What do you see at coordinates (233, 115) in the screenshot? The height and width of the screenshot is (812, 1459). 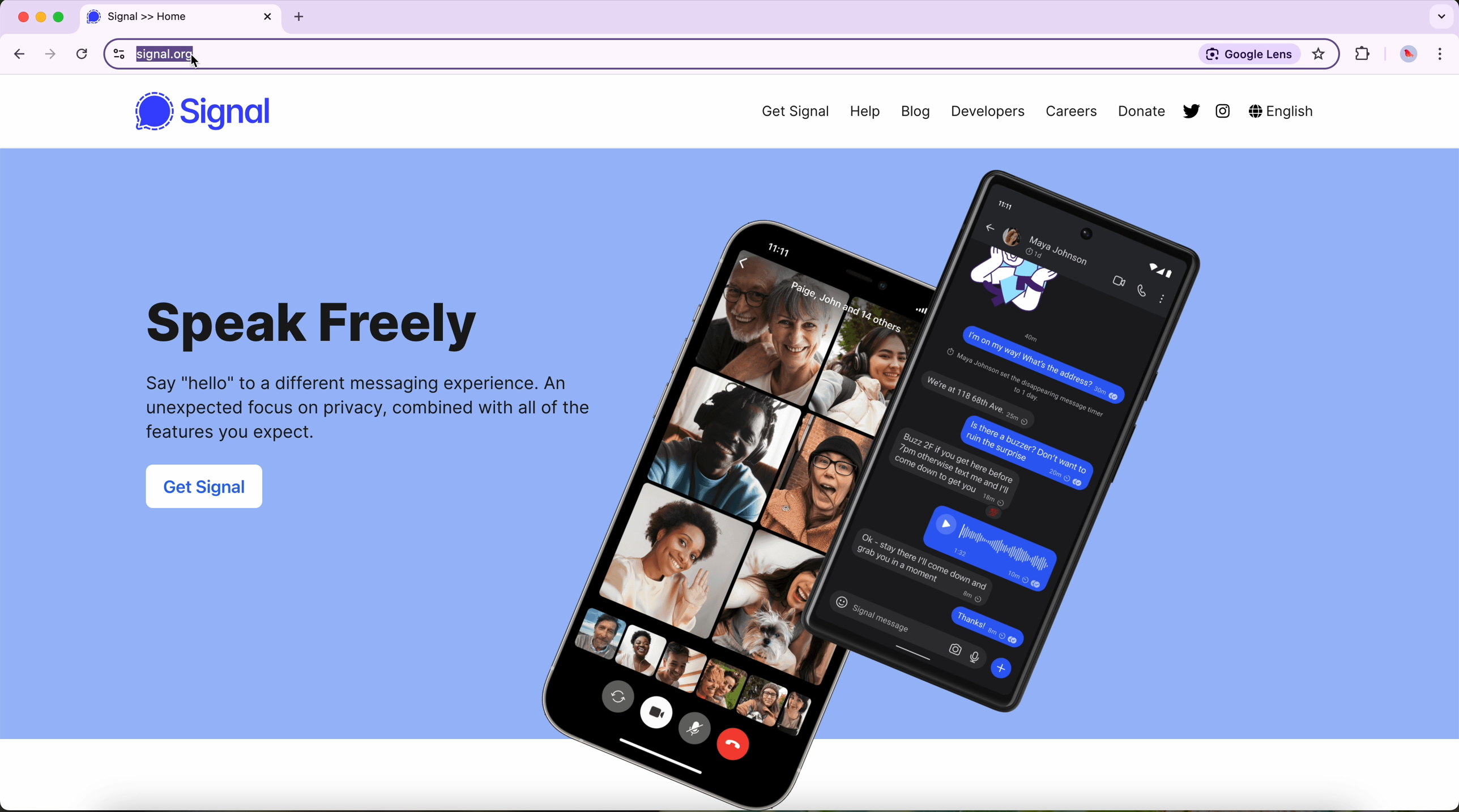 I see `Signal` at bounding box center [233, 115].